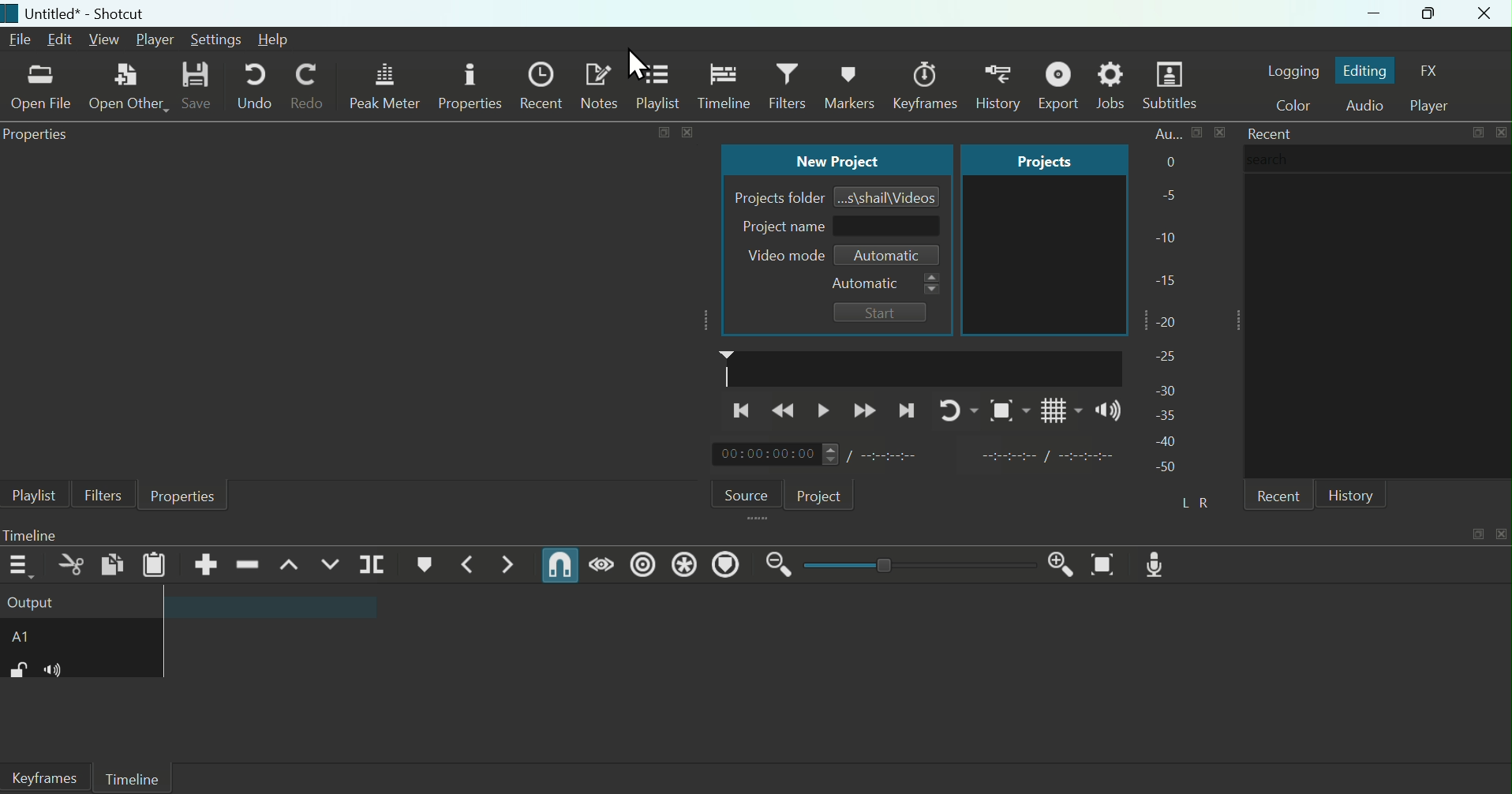 The image size is (1512, 794). I want to click on FX, so click(1436, 71).